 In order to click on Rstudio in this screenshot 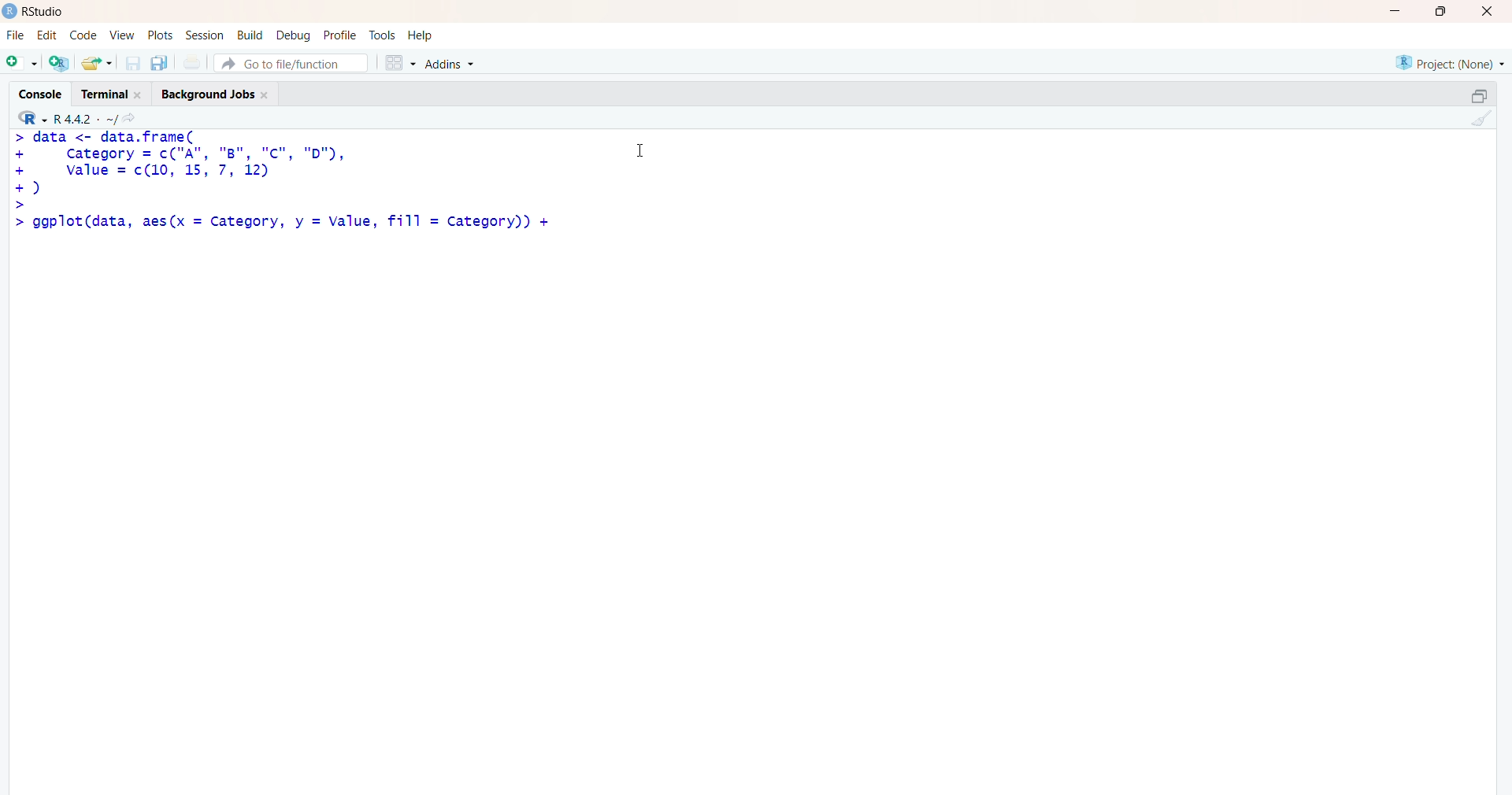, I will do `click(48, 12)`.